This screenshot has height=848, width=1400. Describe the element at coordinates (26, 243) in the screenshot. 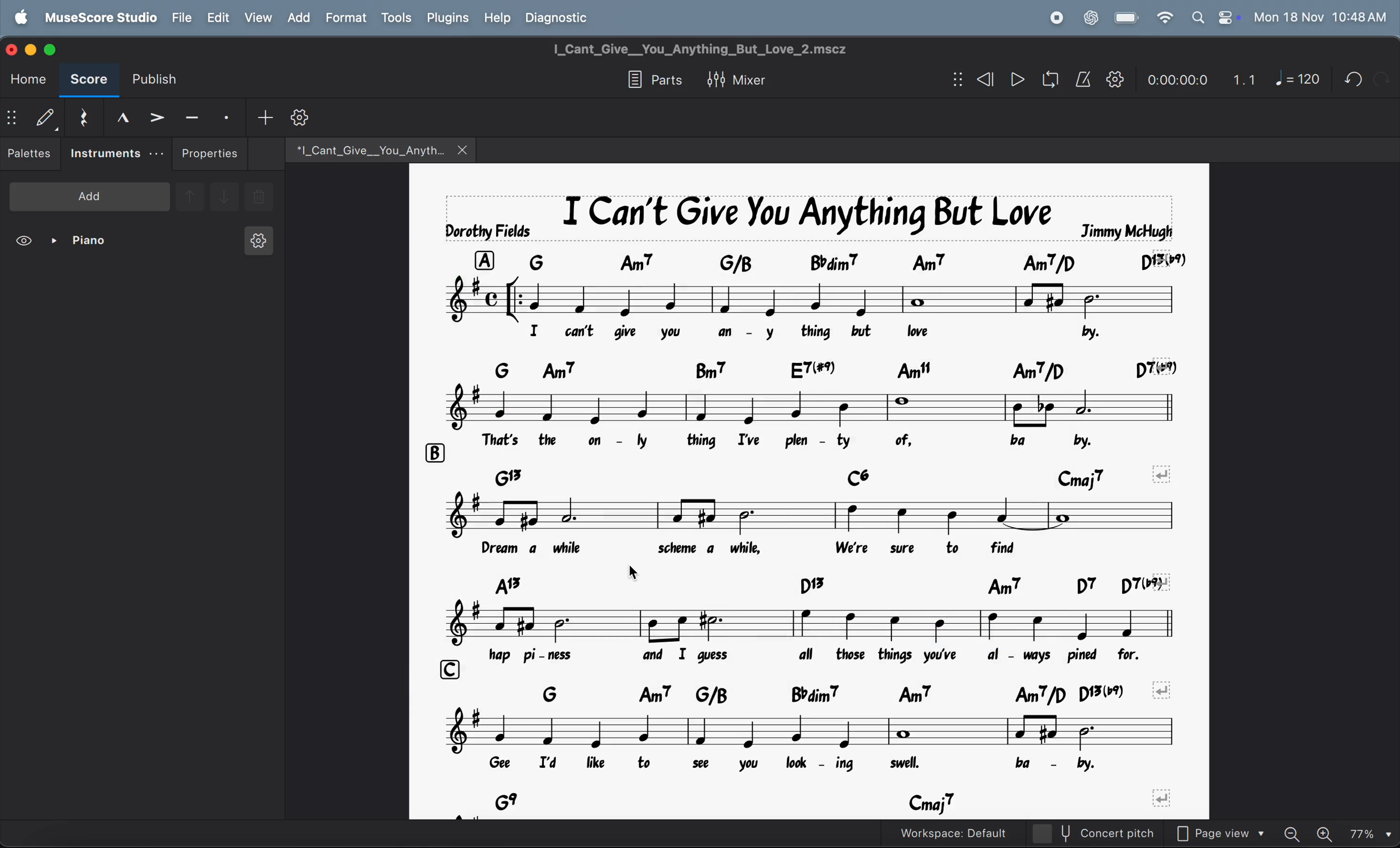

I see `view` at that location.